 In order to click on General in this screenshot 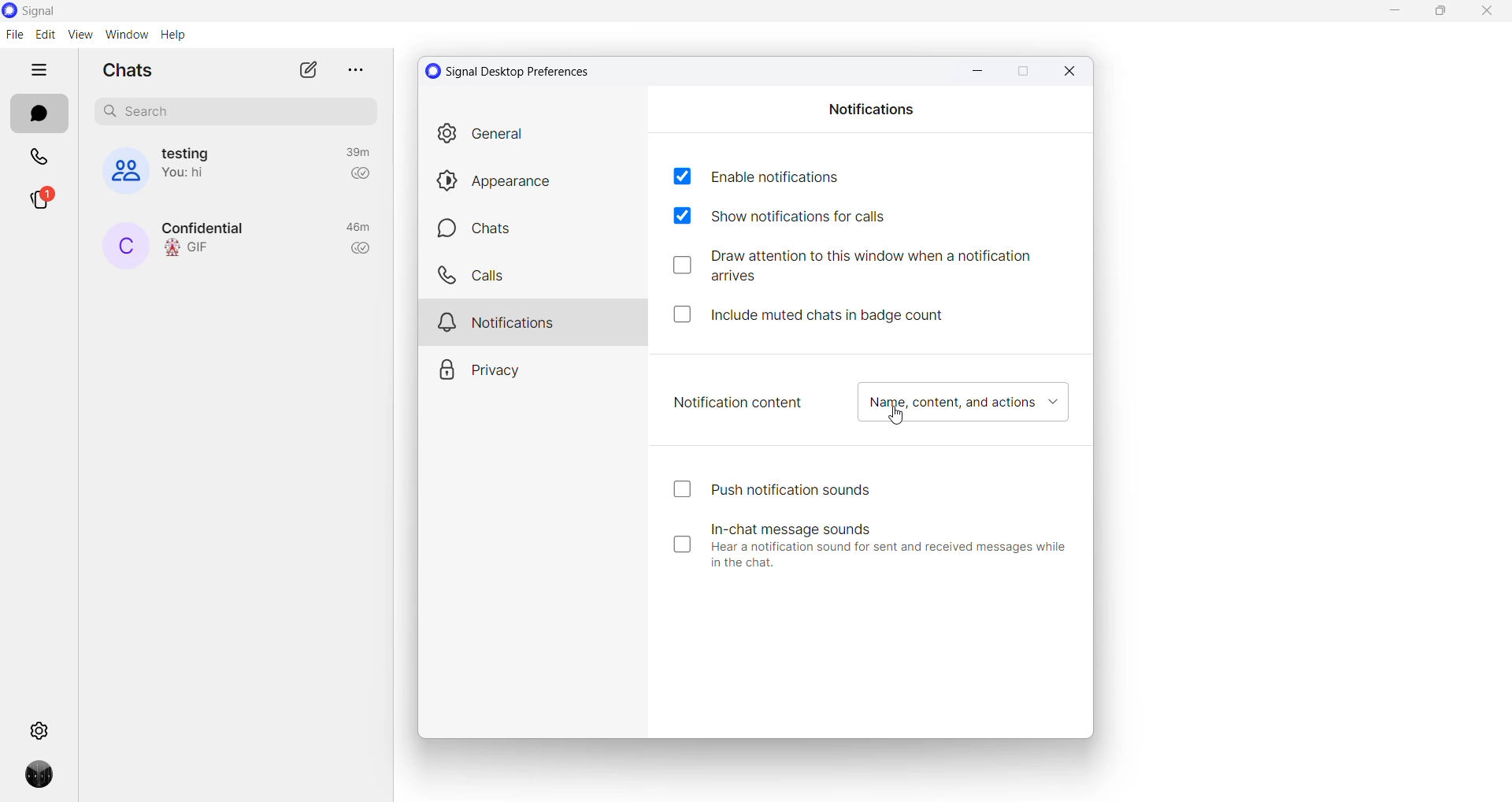, I will do `click(535, 137)`.